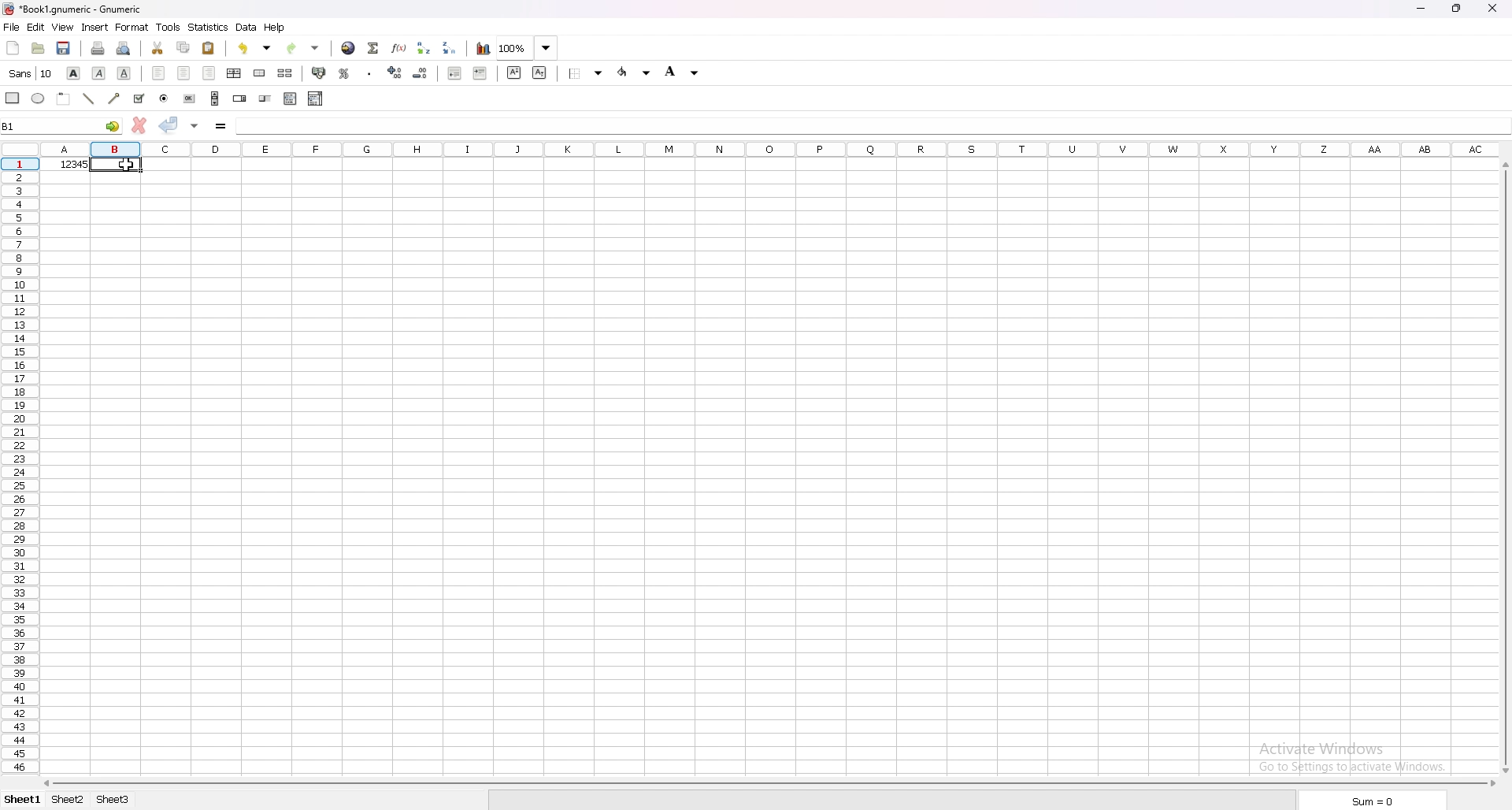  Describe the element at coordinates (98, 47) in the screenshot. I see `print` at that location.